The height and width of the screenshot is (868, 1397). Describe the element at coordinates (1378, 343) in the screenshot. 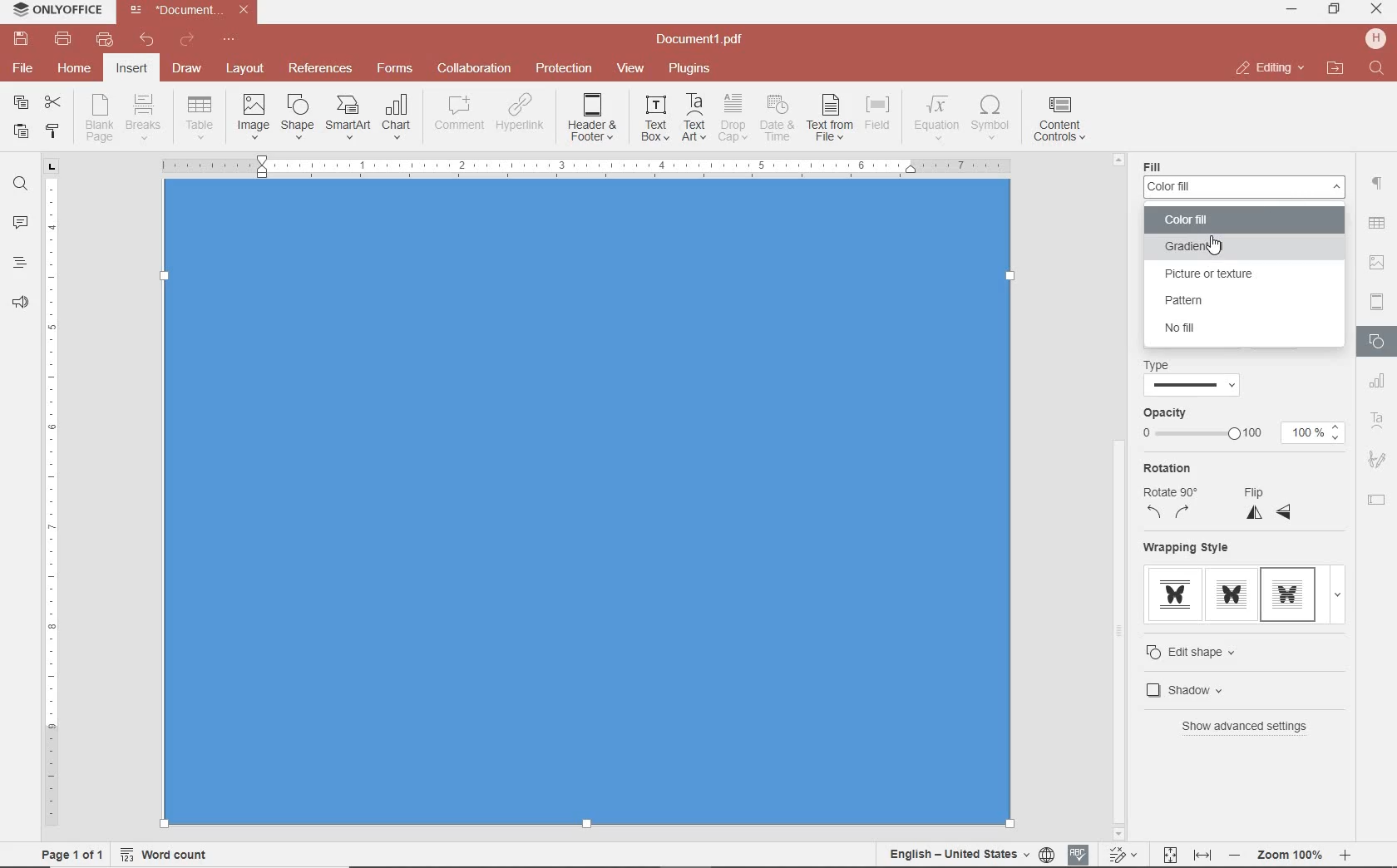

I see `SHAPES` at that location.